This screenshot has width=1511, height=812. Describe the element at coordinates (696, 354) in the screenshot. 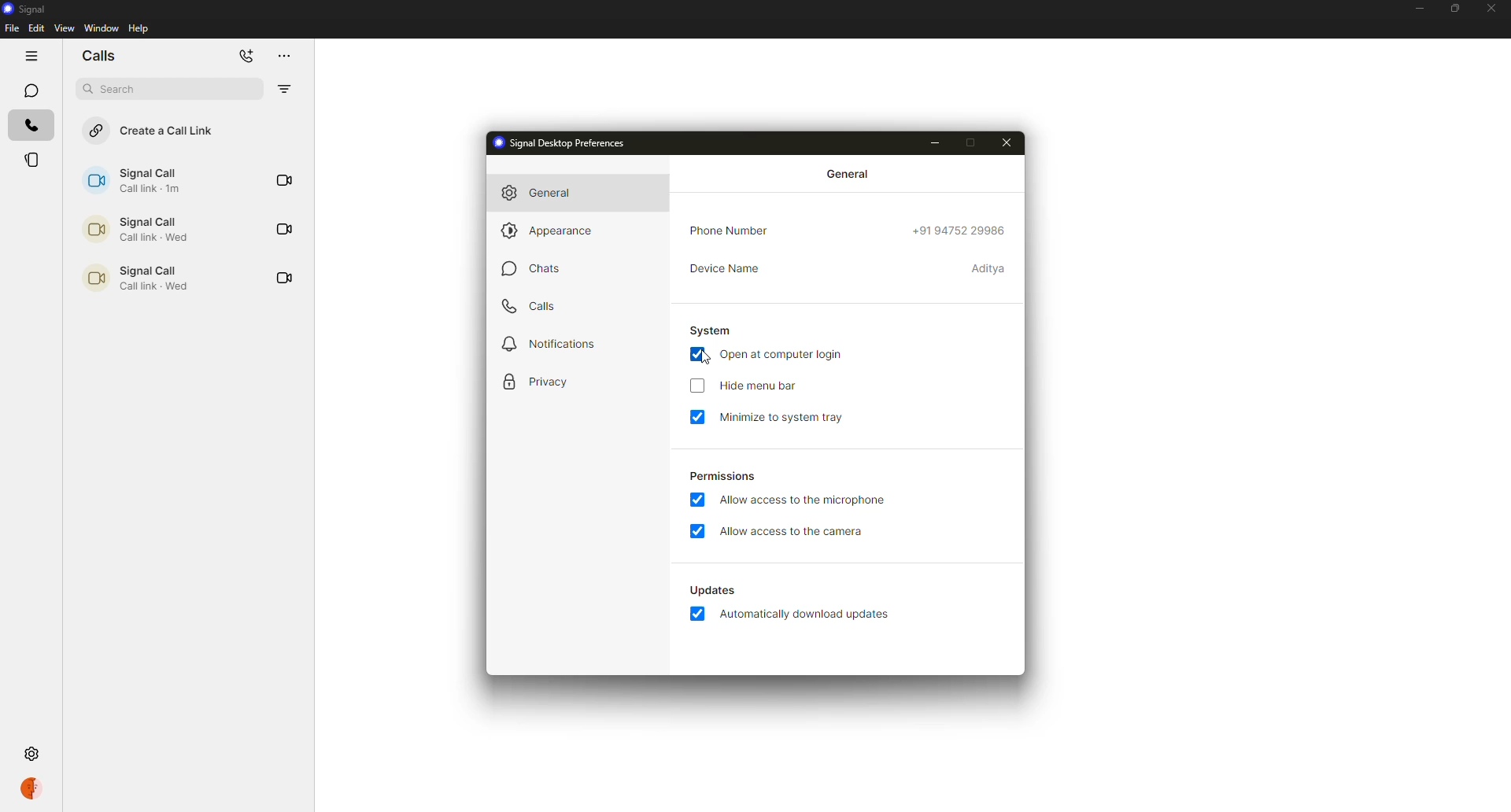

I see `enabled` at that location.